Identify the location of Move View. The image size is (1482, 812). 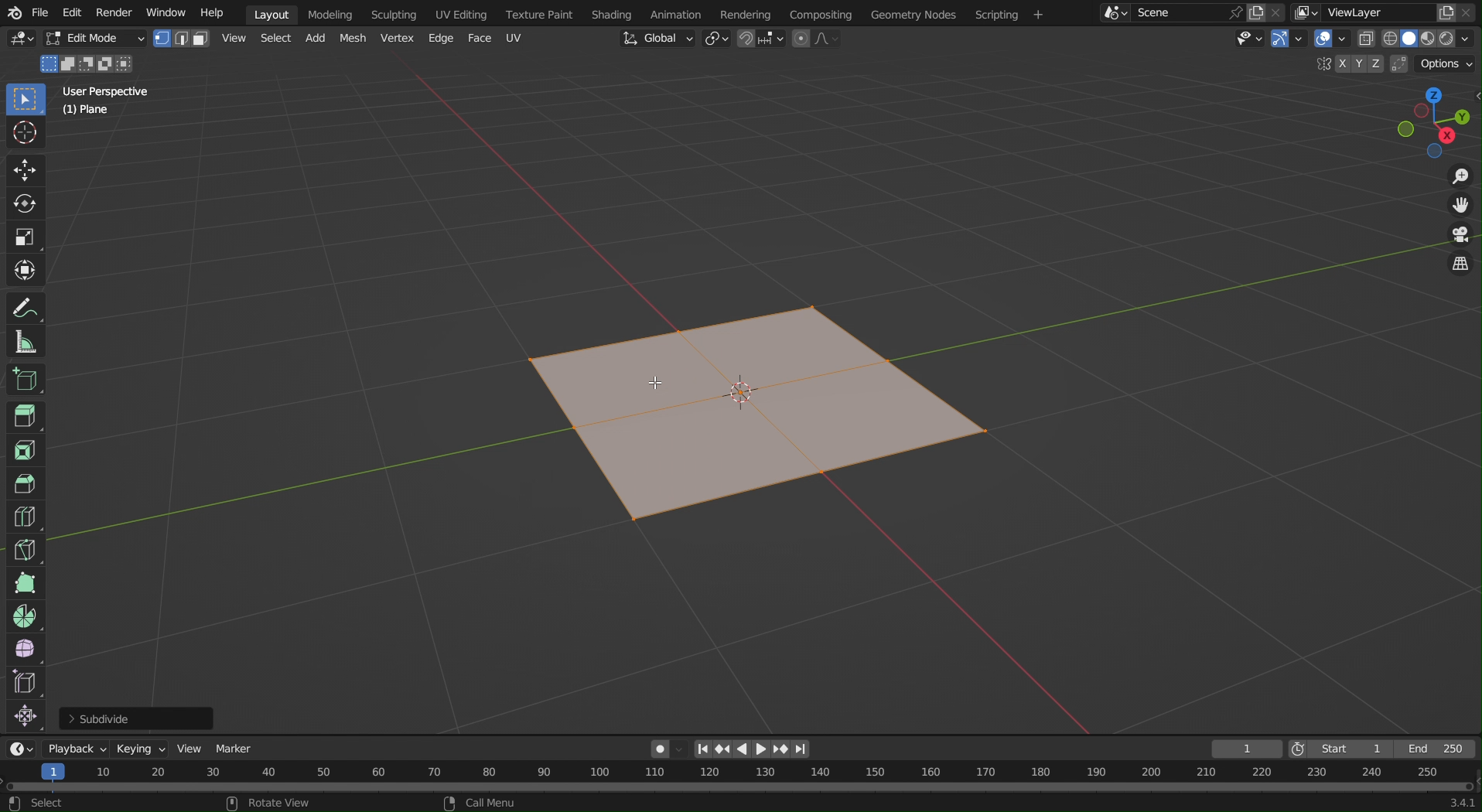
(1462, 210).